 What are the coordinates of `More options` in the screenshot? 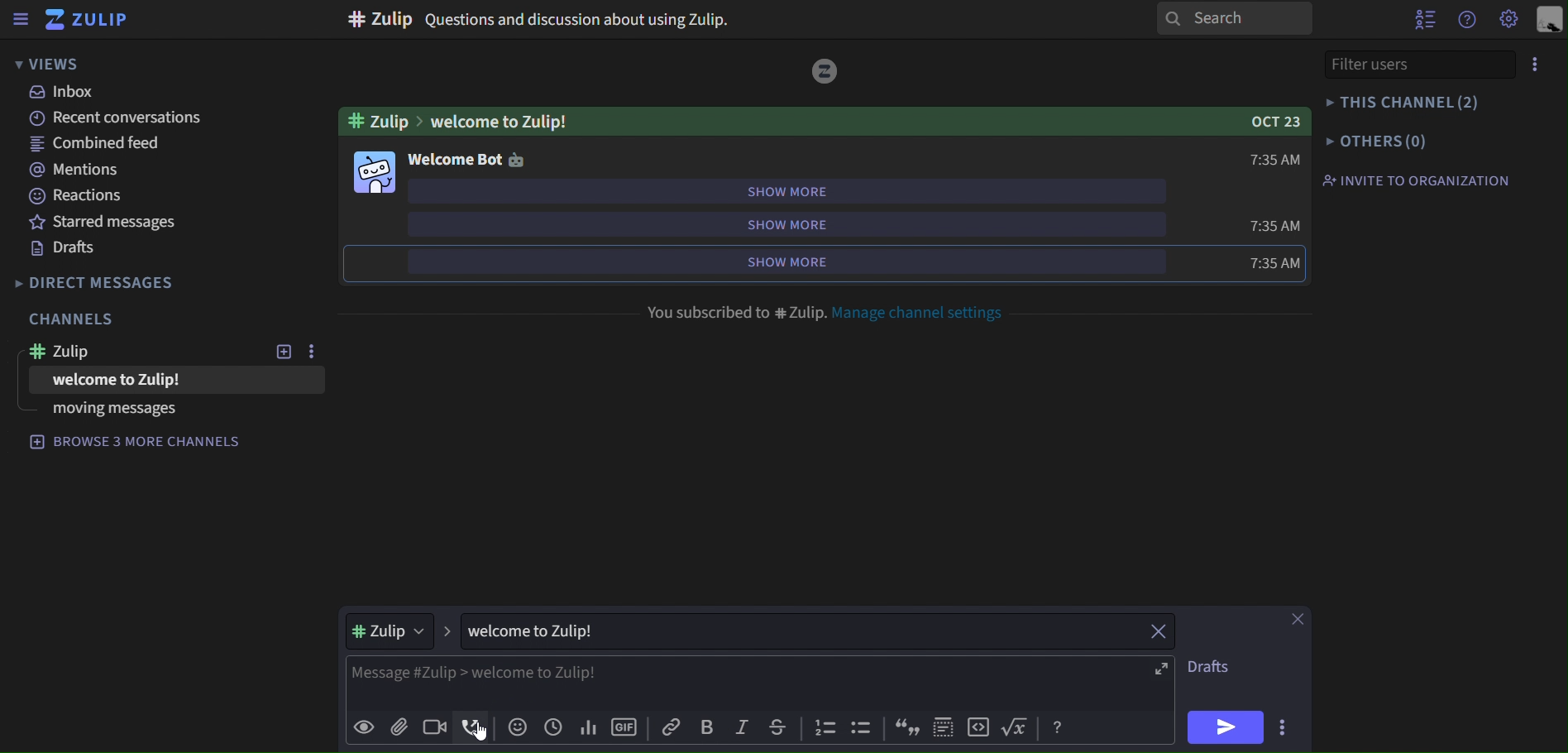 It's located at (1537, 62).